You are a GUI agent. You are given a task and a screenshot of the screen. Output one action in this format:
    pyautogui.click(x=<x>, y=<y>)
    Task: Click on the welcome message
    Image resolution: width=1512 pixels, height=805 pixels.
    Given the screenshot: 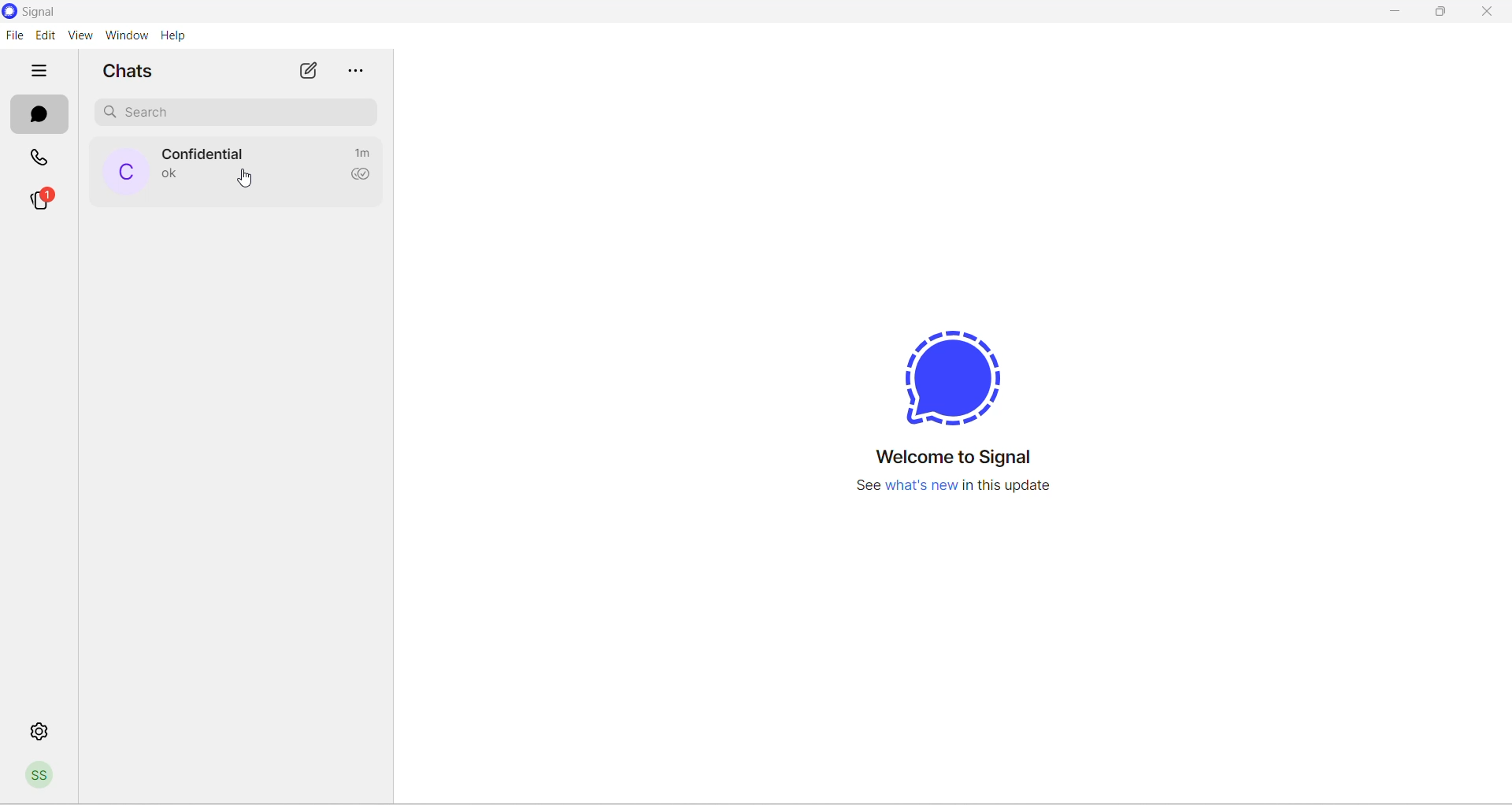 What is the action you would take?
    pyautogui.click(x=947, y=457)
    